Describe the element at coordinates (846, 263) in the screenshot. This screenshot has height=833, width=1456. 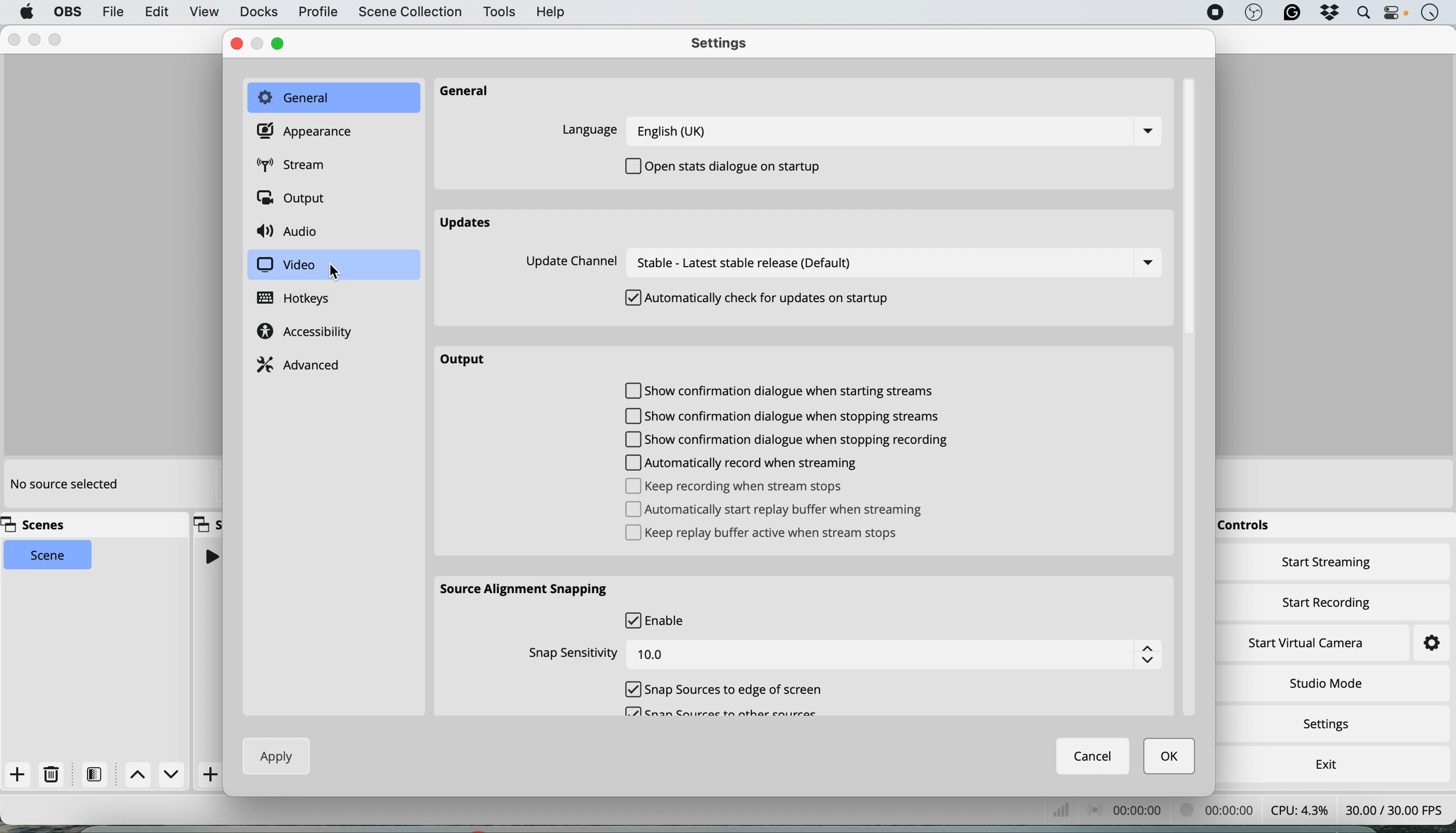
I see `update channel` at that location.